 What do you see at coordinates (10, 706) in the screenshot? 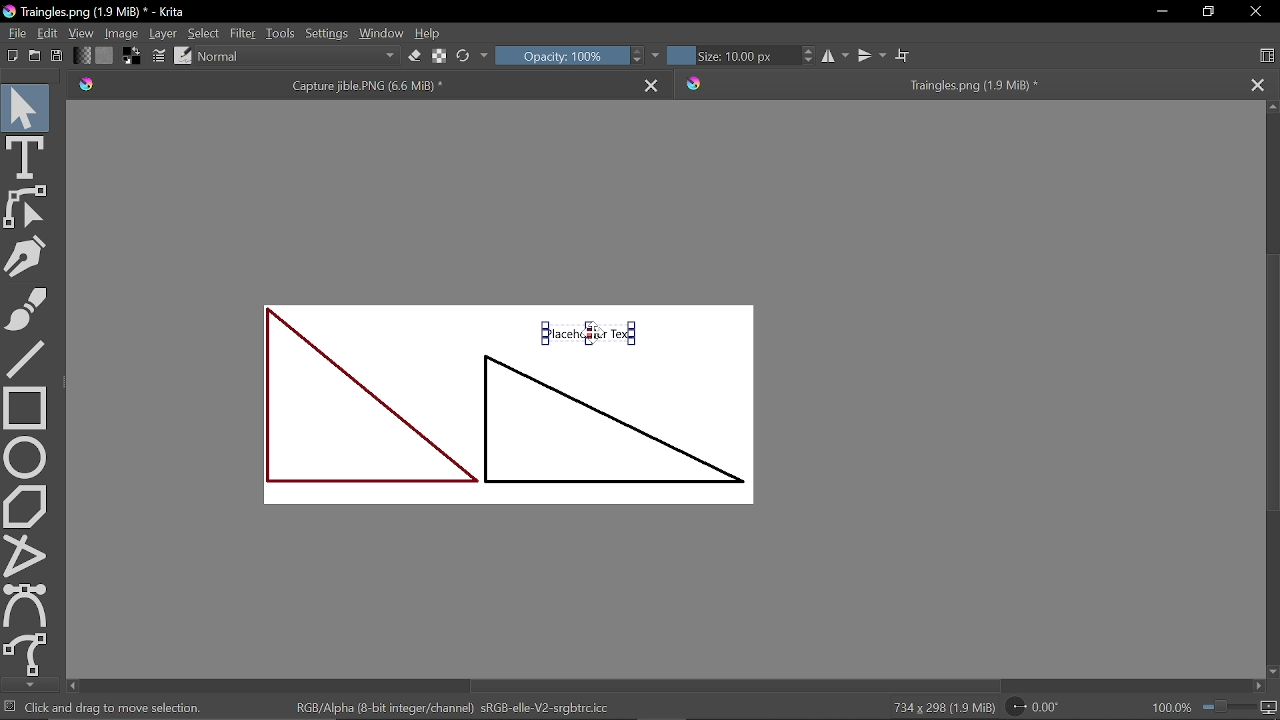
I see `No selection` at bounding box center [10, 706].